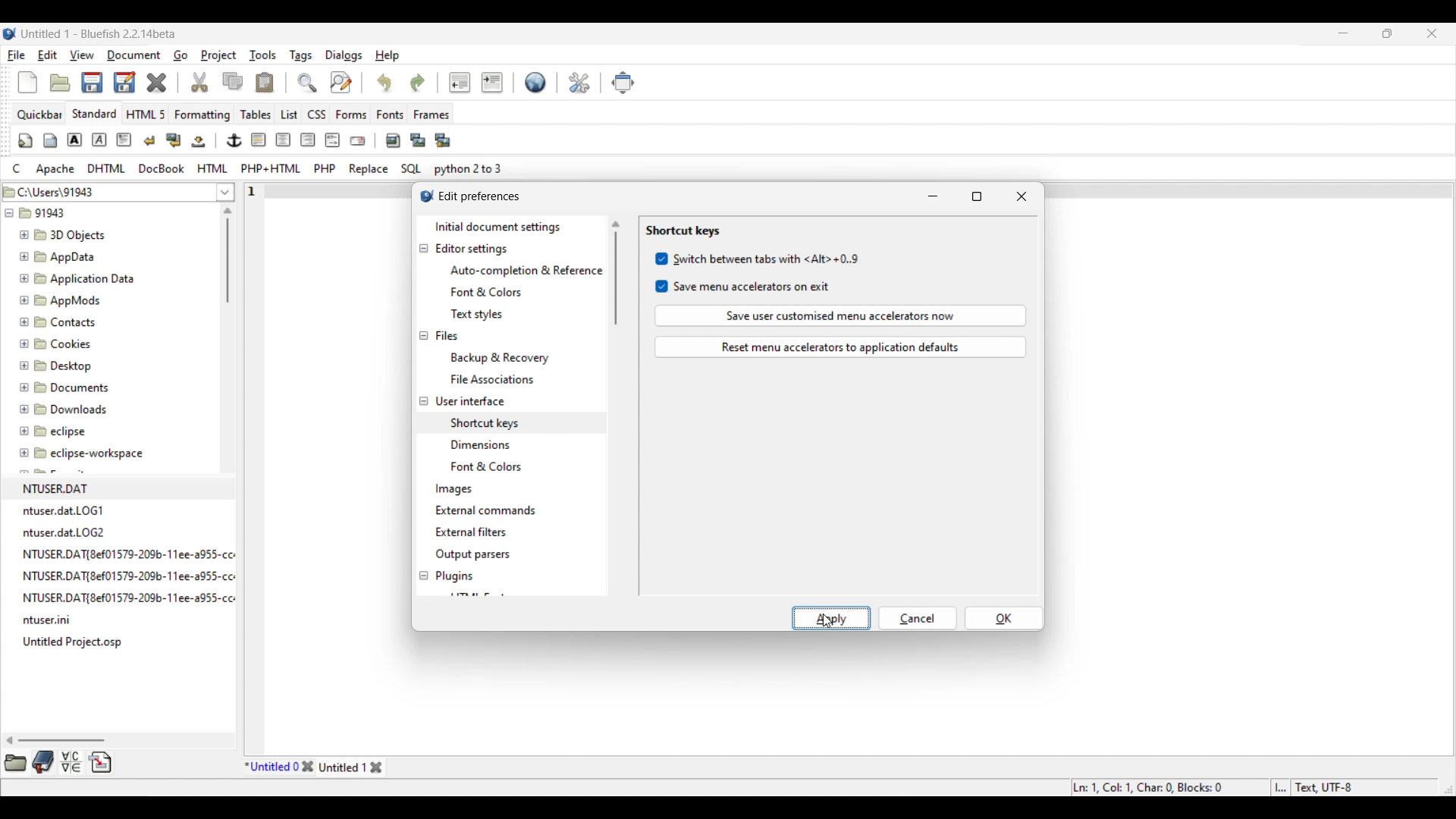  Describe the element at coordinates (384, 82) in the screenshot. I see `Undo` at that location.